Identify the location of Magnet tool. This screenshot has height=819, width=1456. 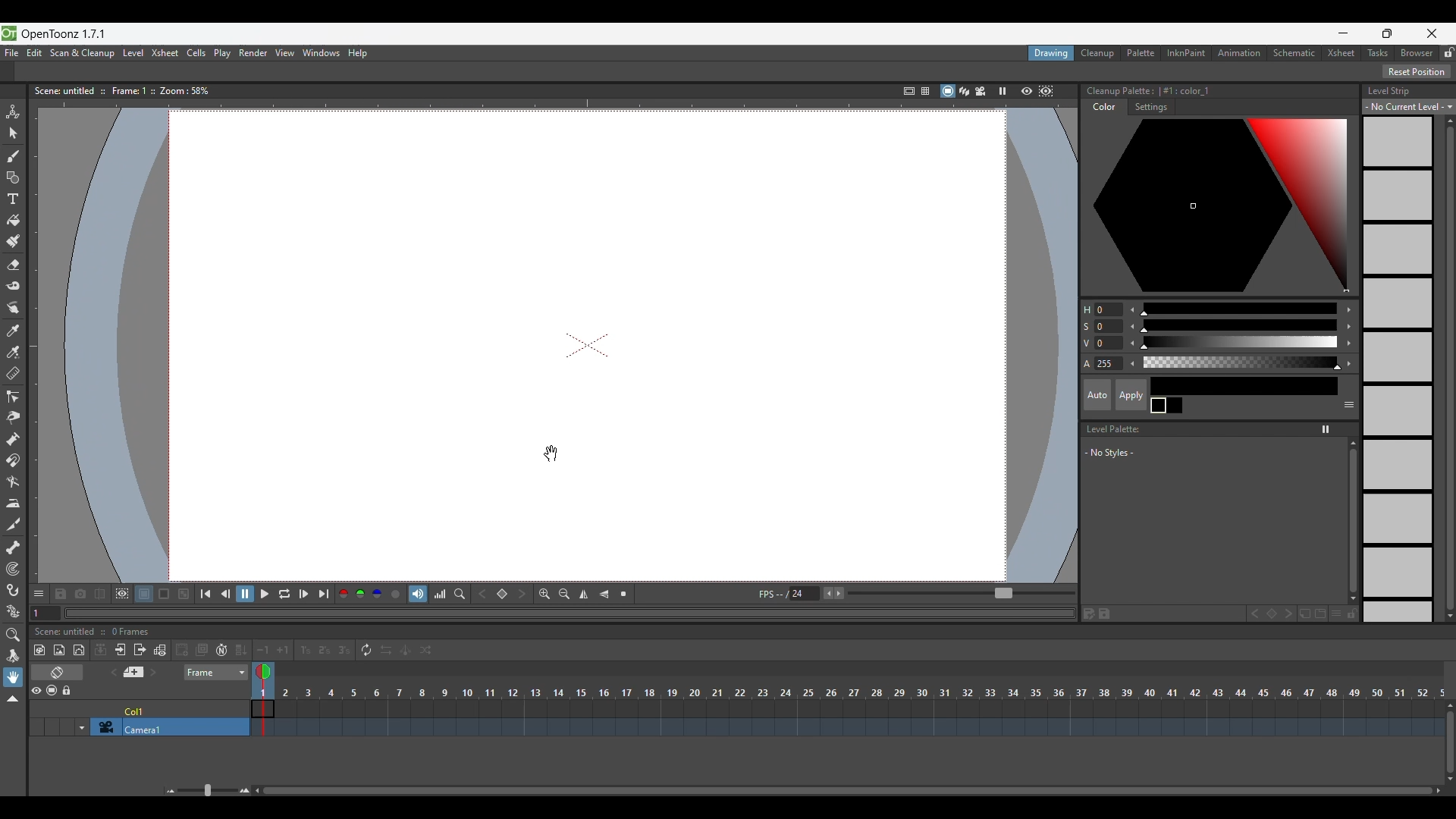
(13, 460).